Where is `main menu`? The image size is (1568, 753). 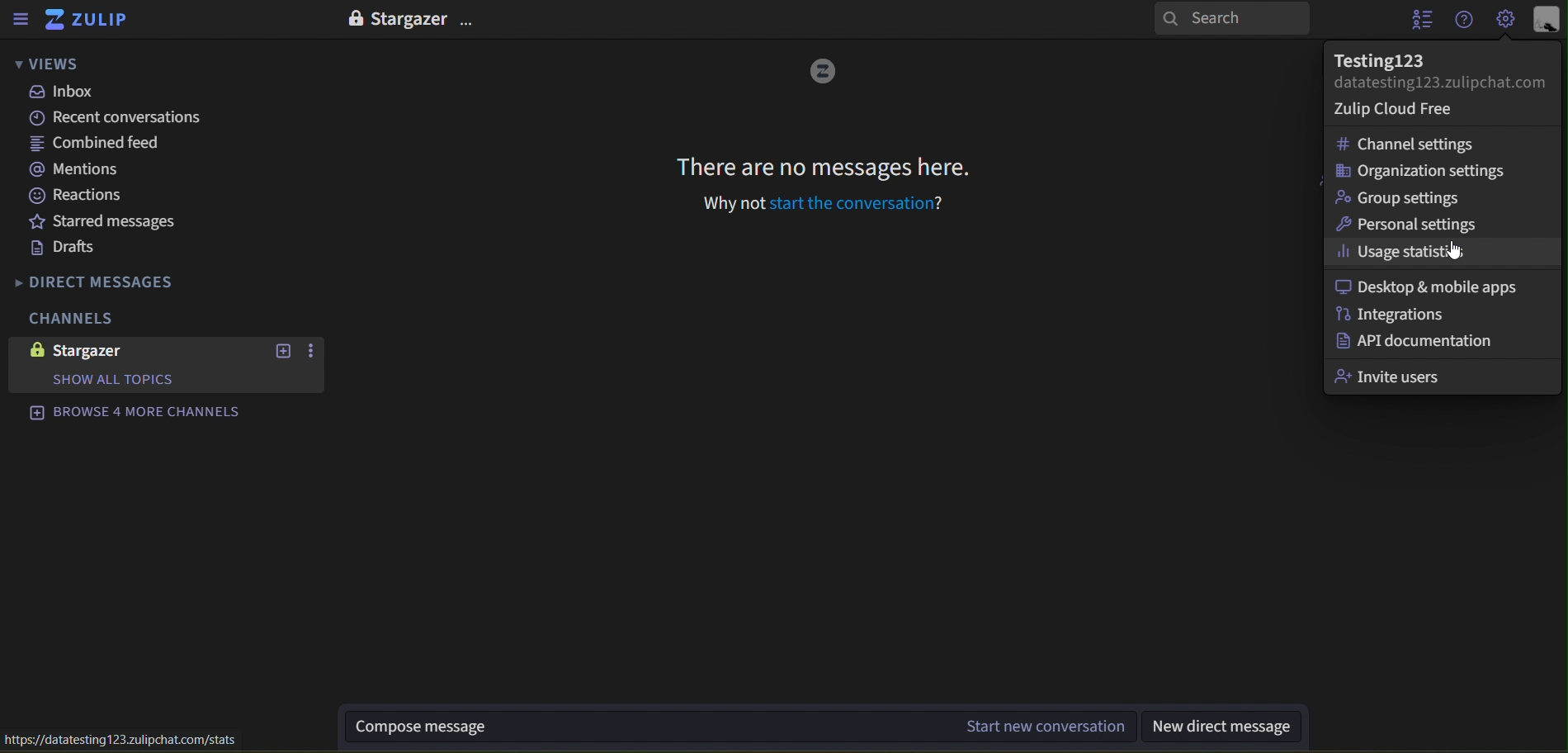 main menu is located at coordinates (1502, 18).